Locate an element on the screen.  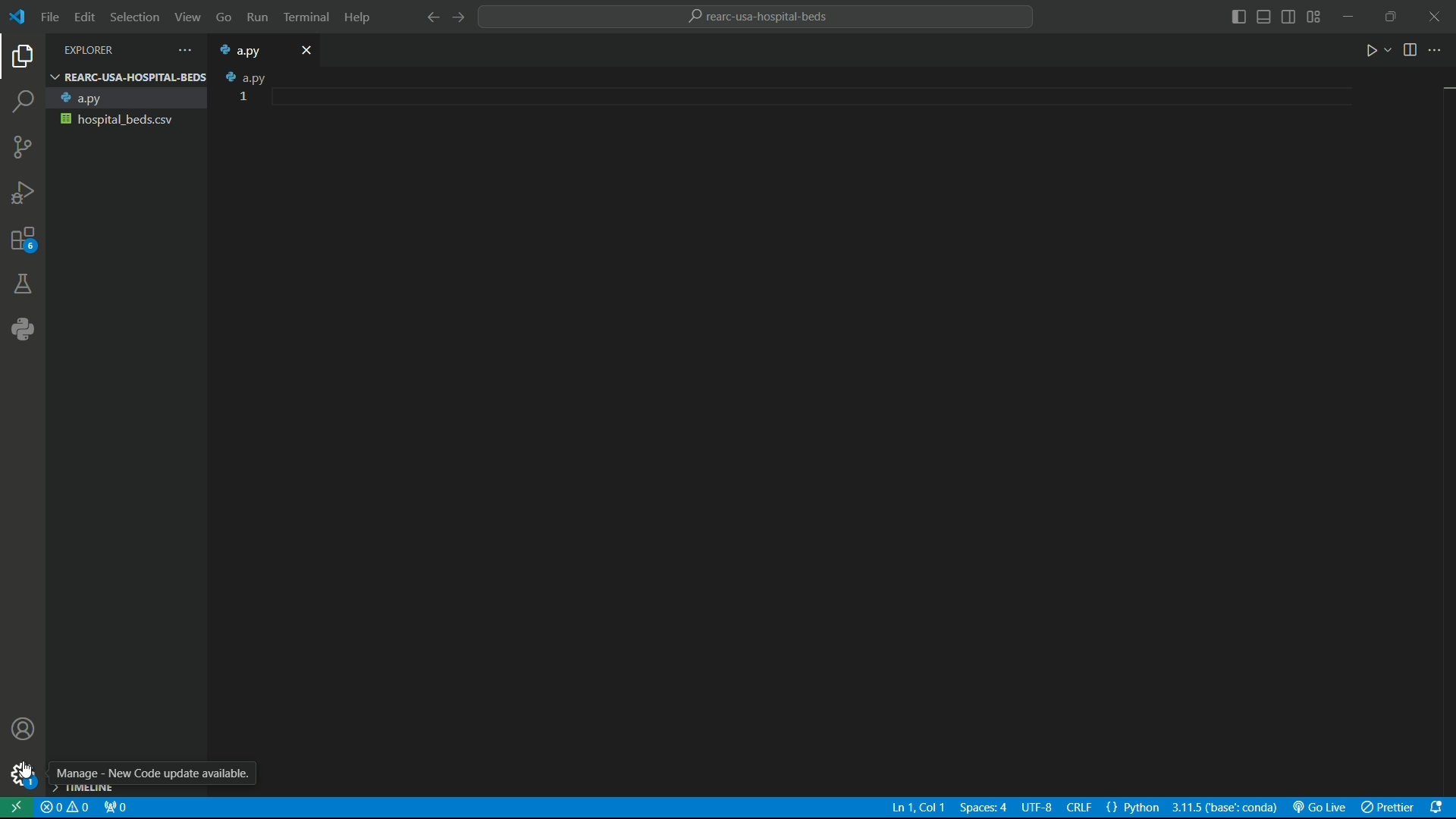
help menu is located at coordinates (359, 17).